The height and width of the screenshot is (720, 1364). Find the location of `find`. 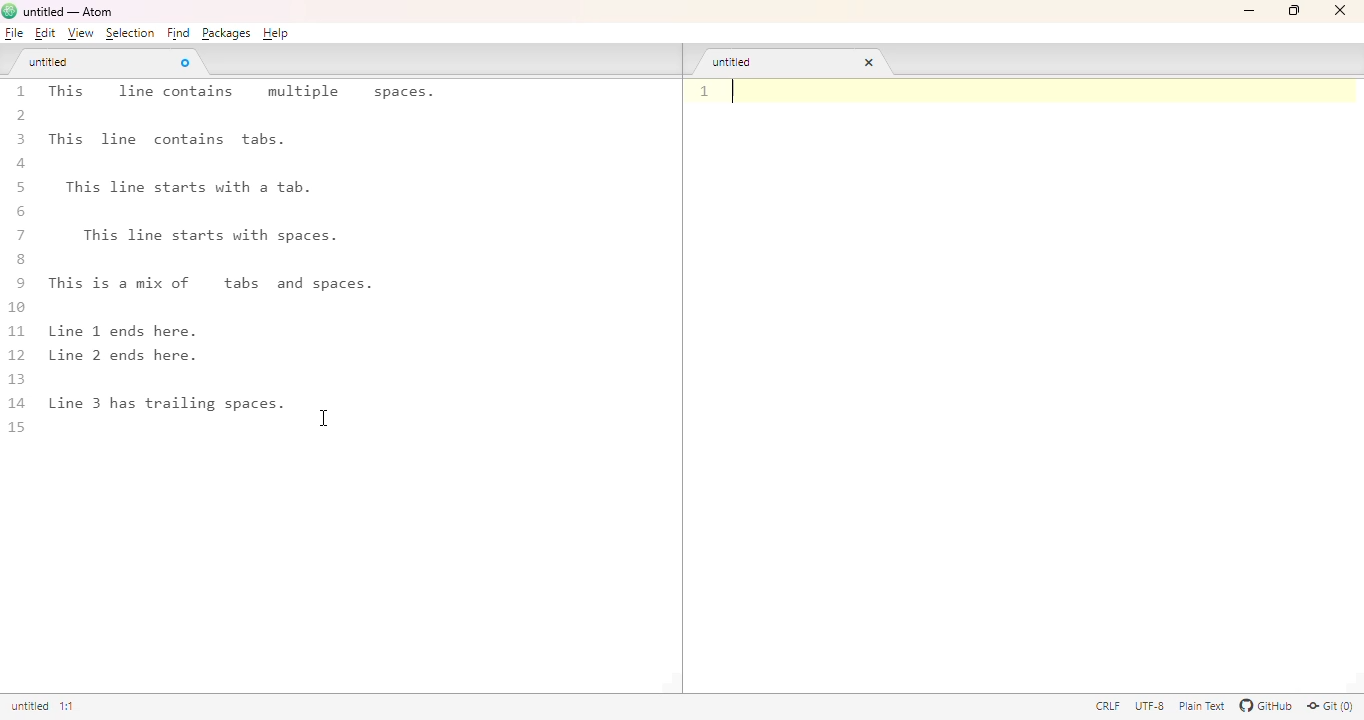

find is located at coordinates (178, 33).